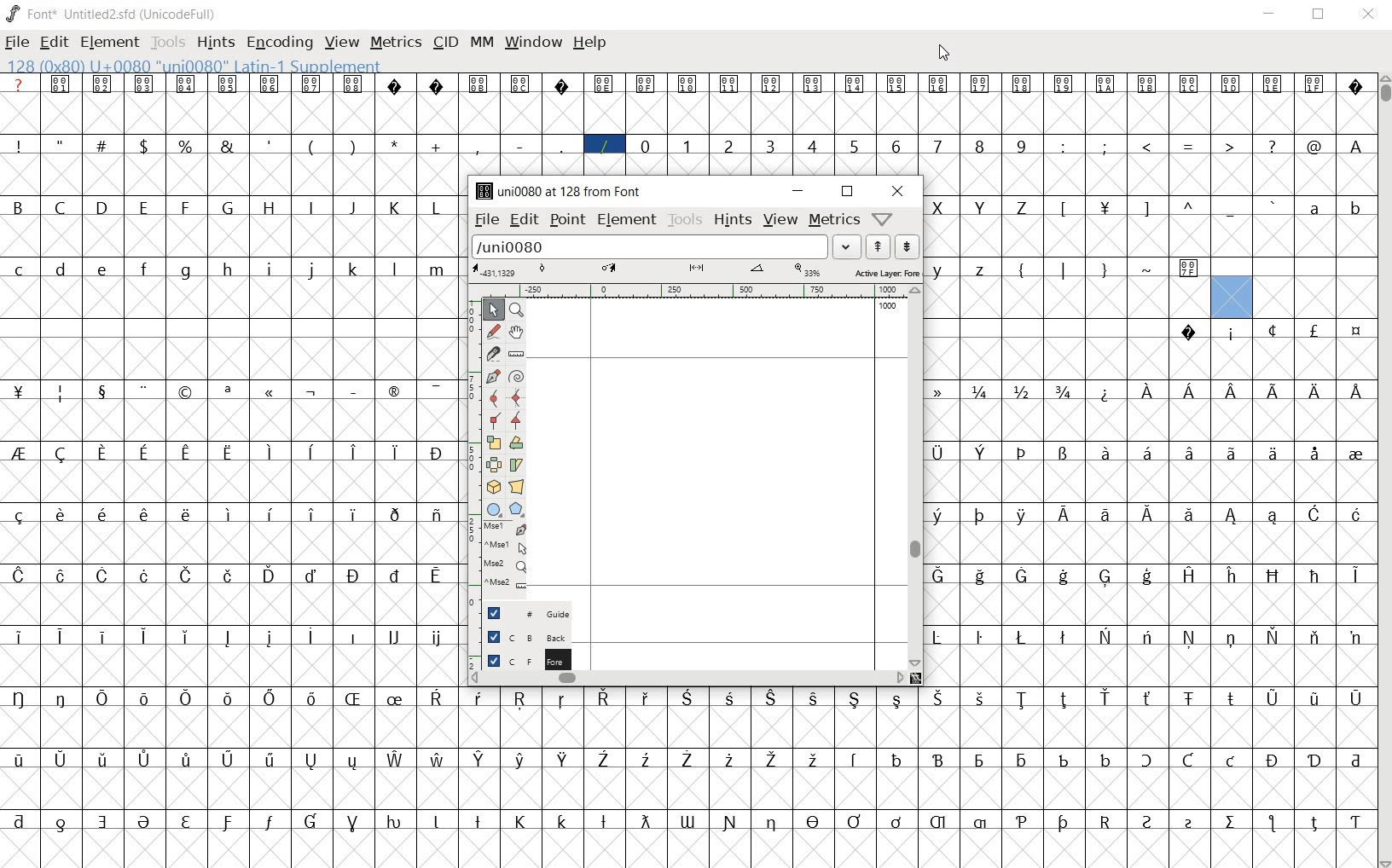  I want to click on glyph, so click(19, 516).